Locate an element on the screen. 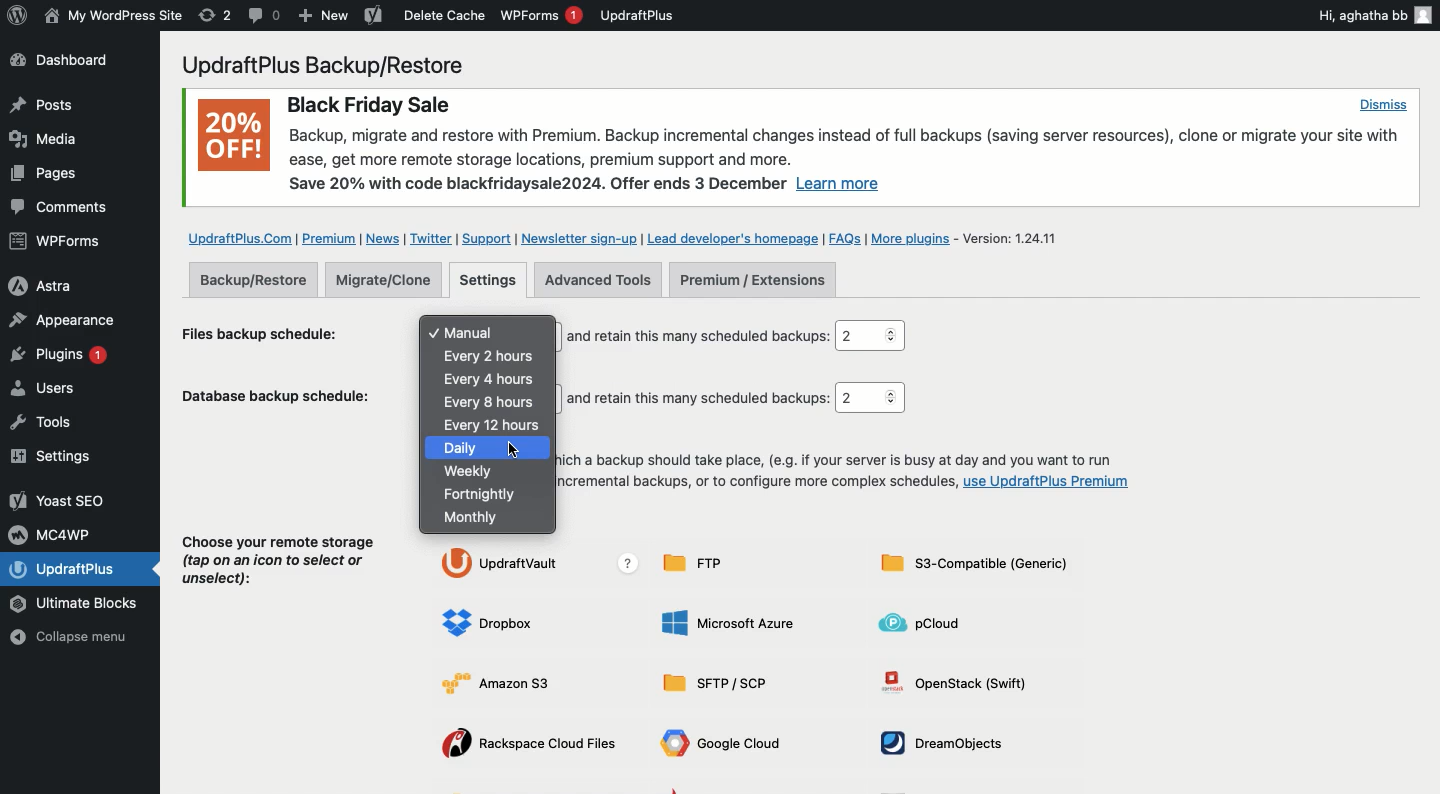 Image resolution: width=1440 pixels, height=794 pixels. Posts is located at coordinates (40, 105).